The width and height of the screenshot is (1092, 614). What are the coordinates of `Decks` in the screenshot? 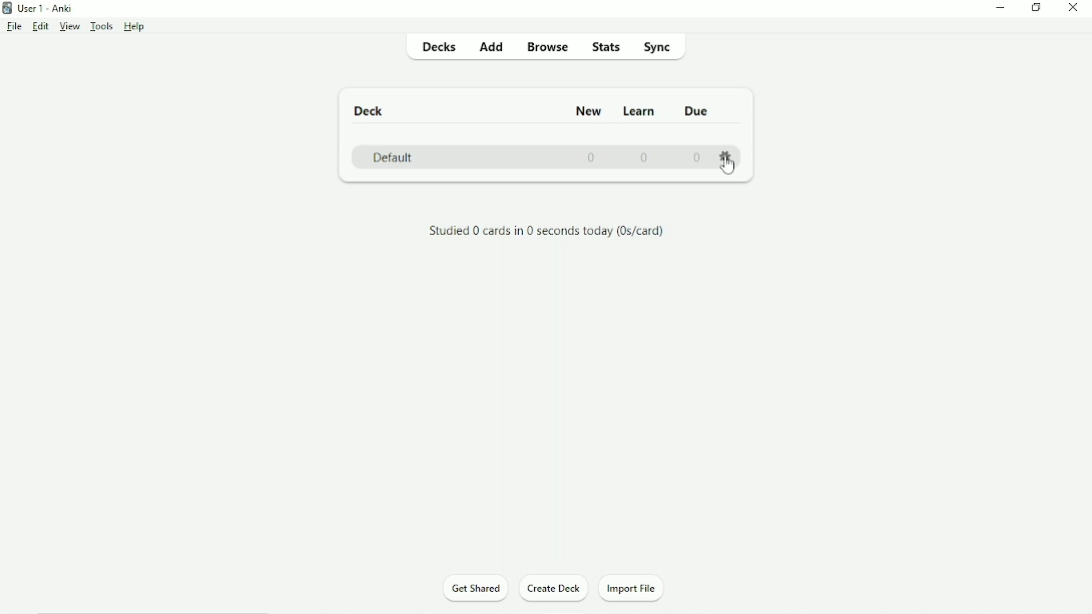 It's located at (437, 46).